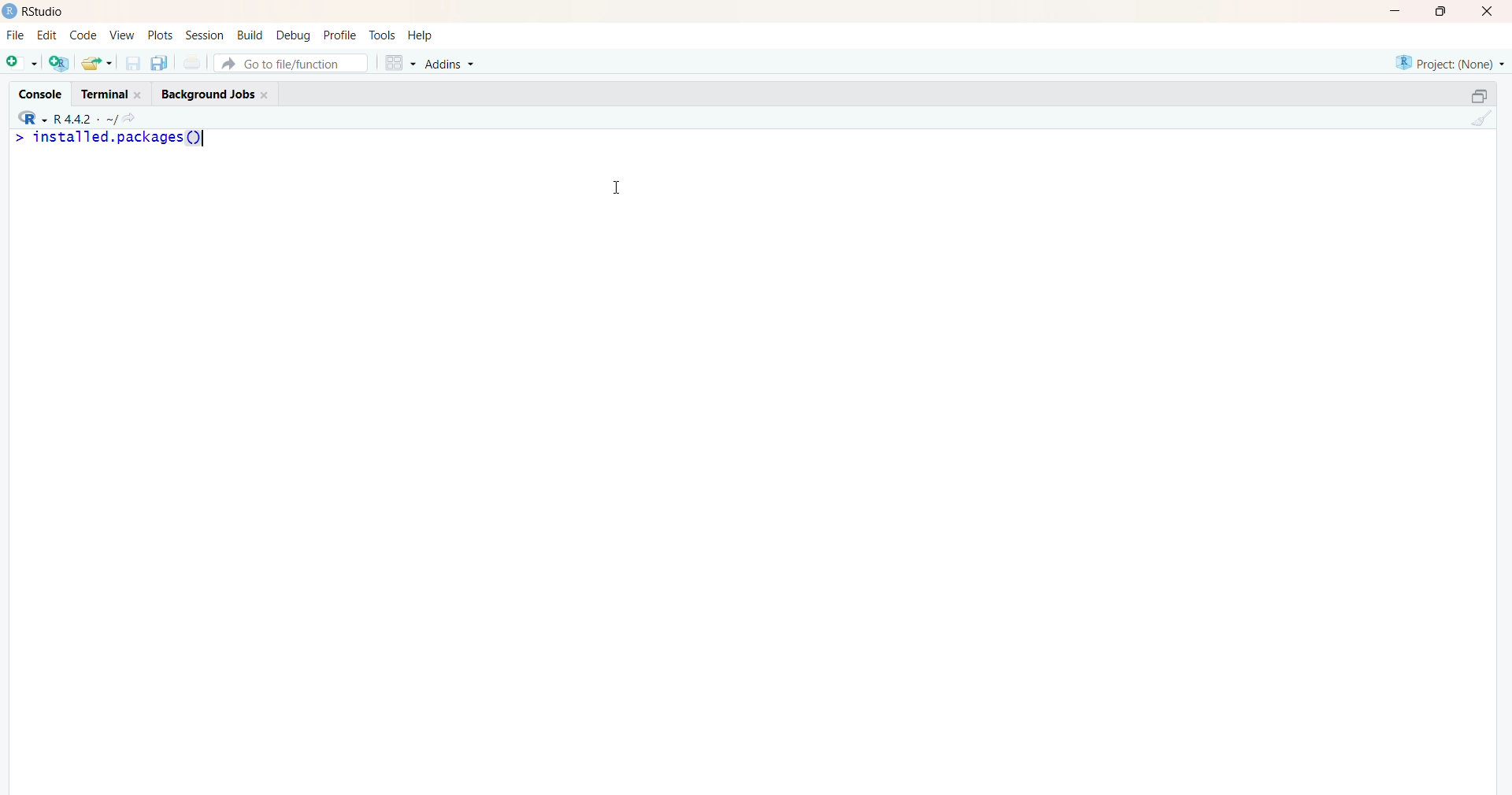  I want to click on session, so click(205, 35).